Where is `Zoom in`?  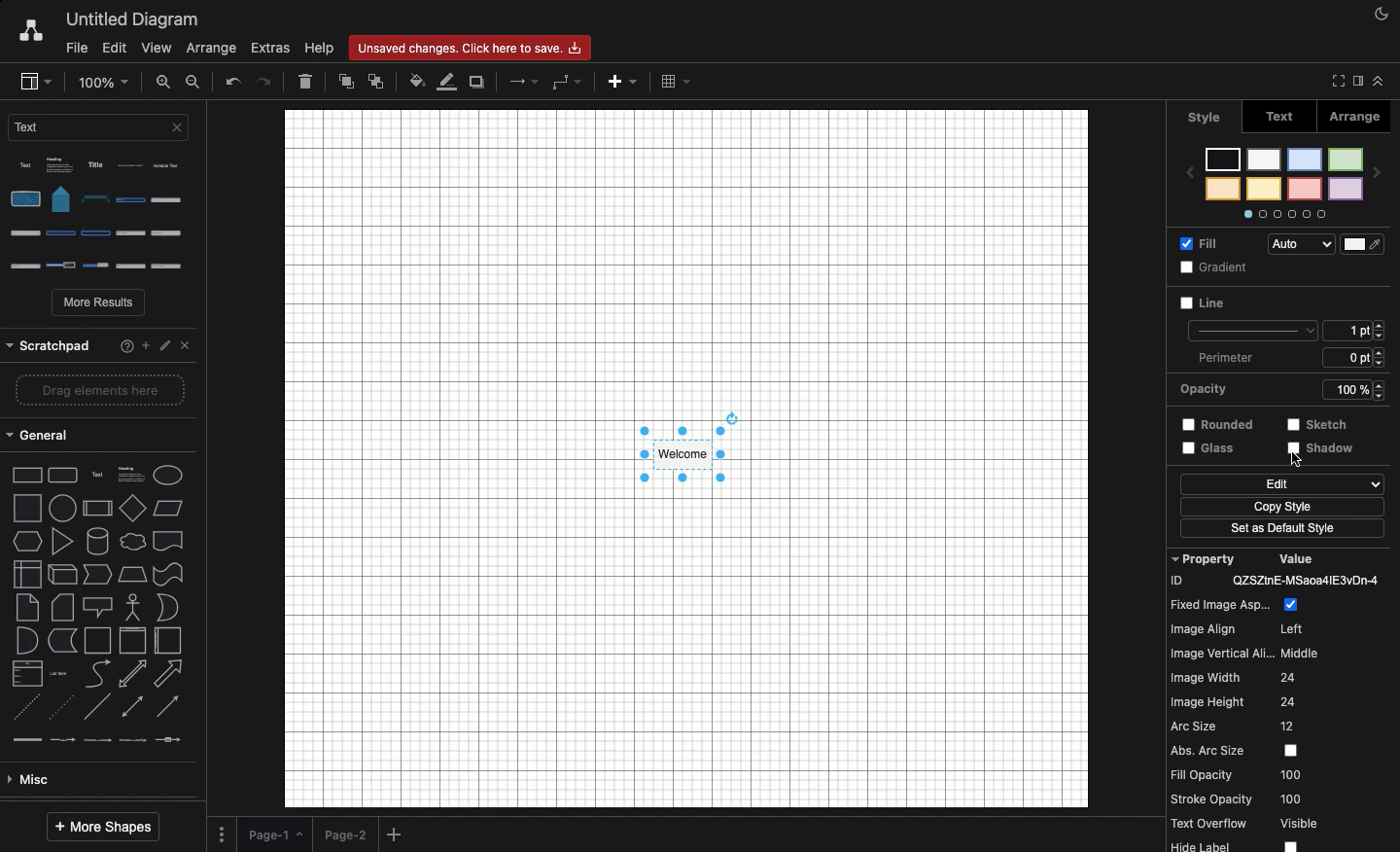 Zoom in is located at coordinates (164, 81).